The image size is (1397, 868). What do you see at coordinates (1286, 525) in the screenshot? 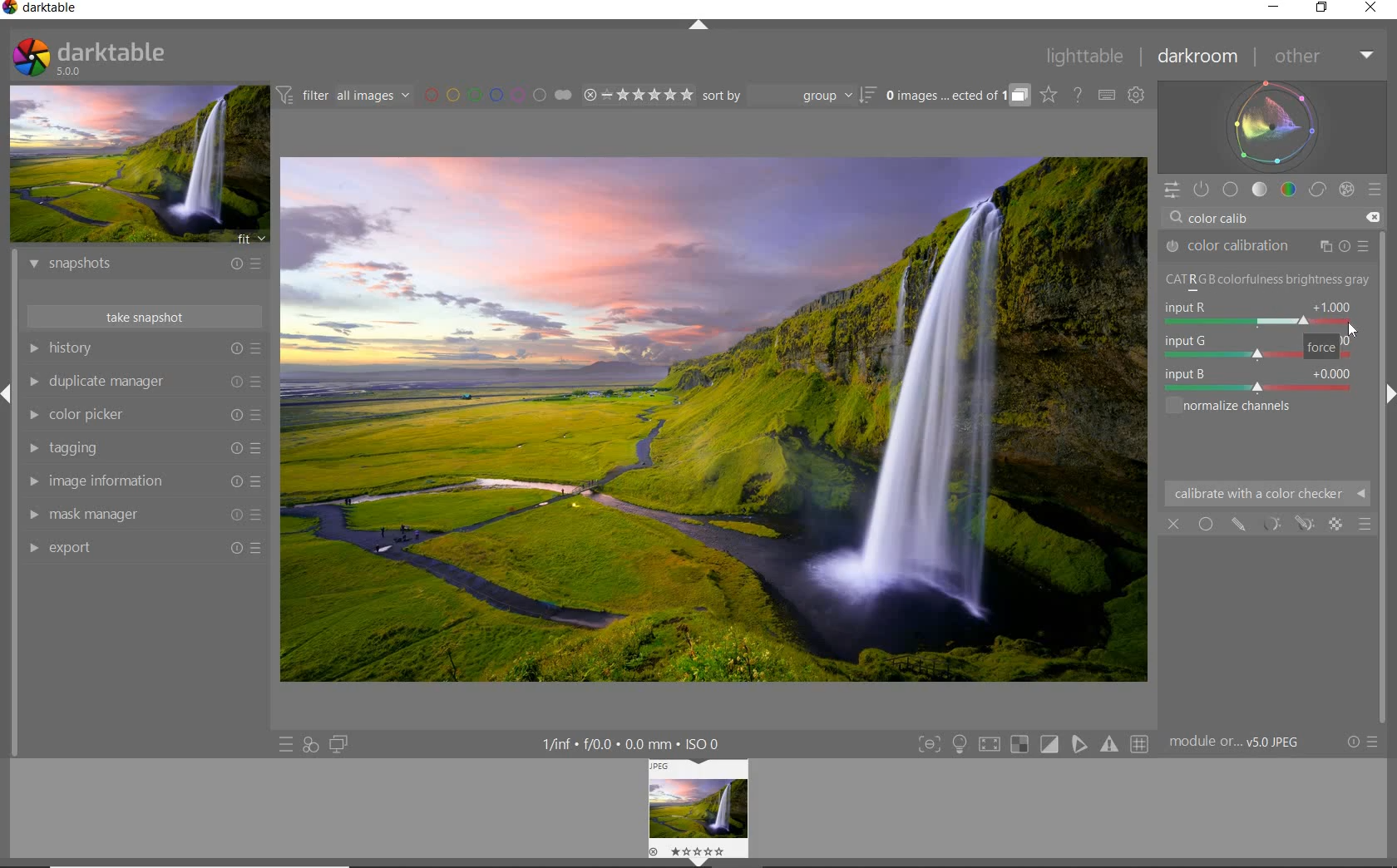
I see `MASK OPTIONS` at bounding box center [1286, 525].